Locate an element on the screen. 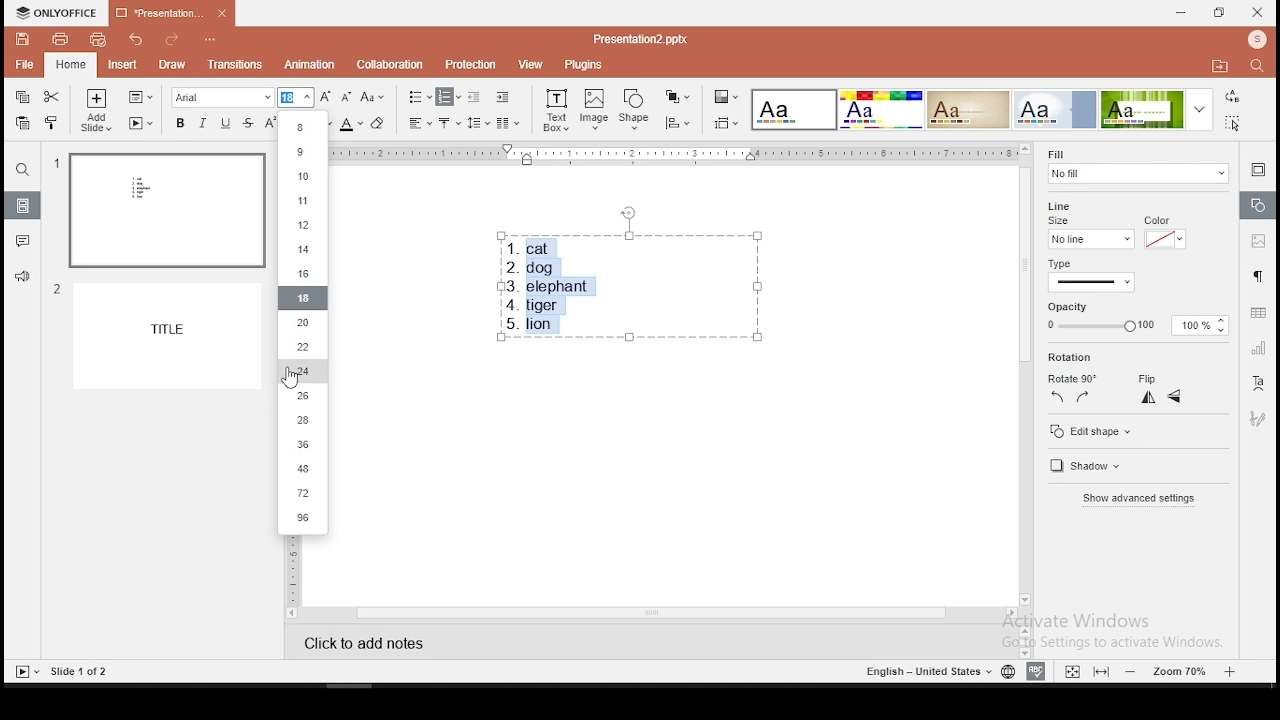  strikethrough is located at coordinates (248, 122).